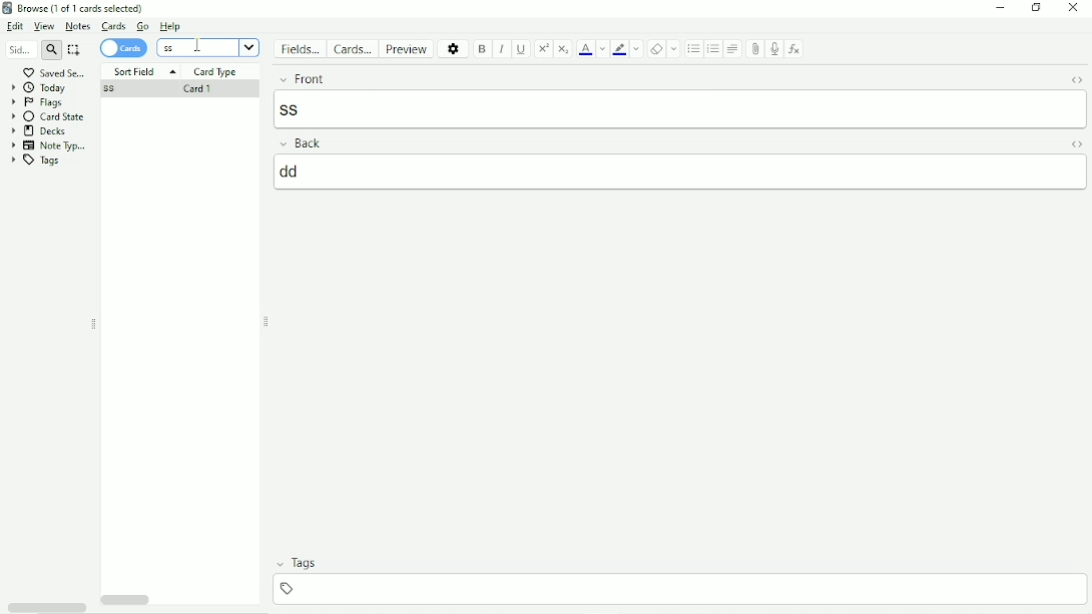 The width and height of the screenshot is (1092, 614). What do you see at coordinates (692, 49) in the screenshot?
I see `Unordered list` at bounding box center [692, 49].